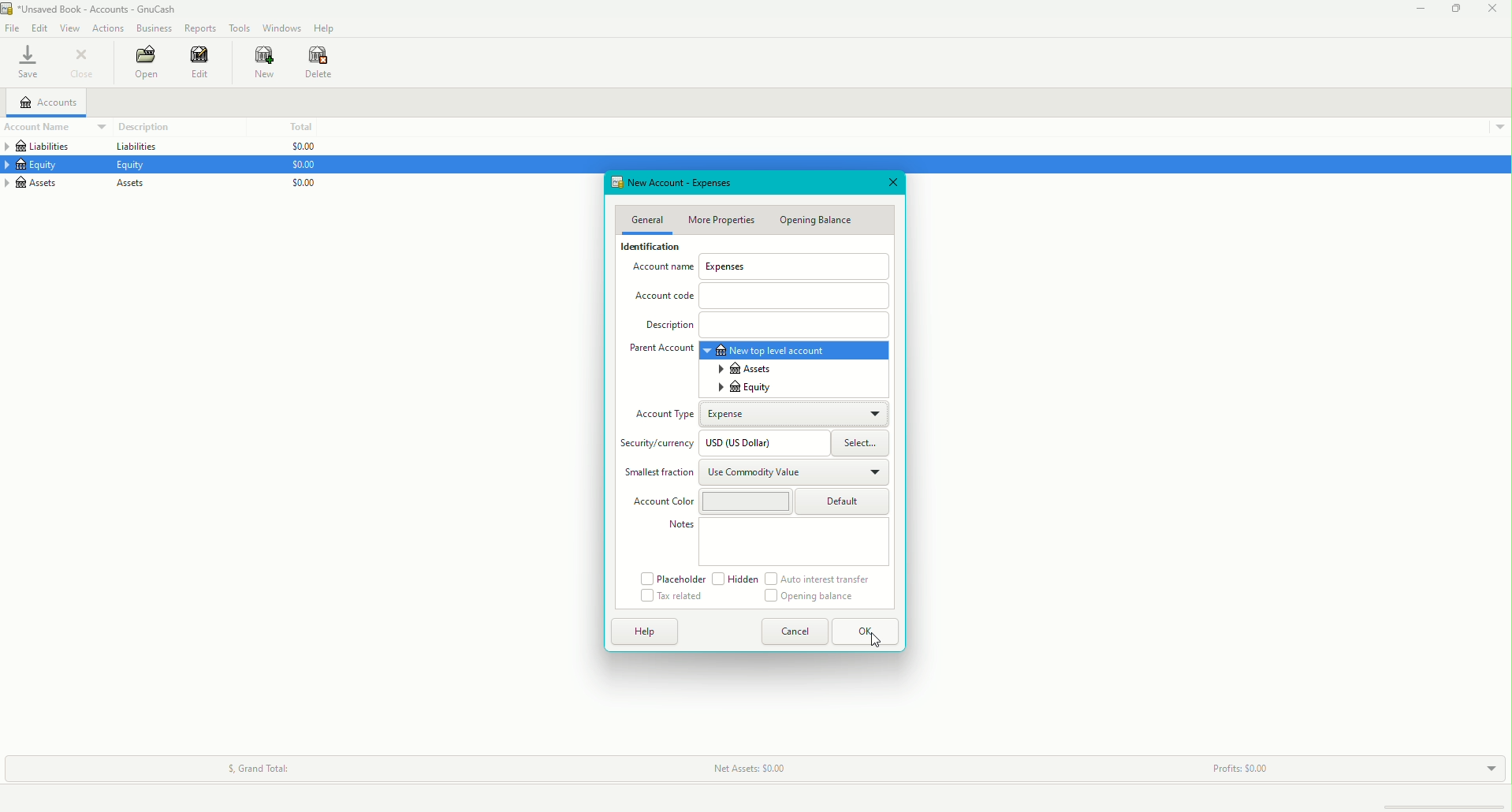 The height and width of the screenshot is (812, 1512). What do you see at coordinates (1240, 765) in the screenshot?
I see `Profits` at bounding box center [1240, 765].